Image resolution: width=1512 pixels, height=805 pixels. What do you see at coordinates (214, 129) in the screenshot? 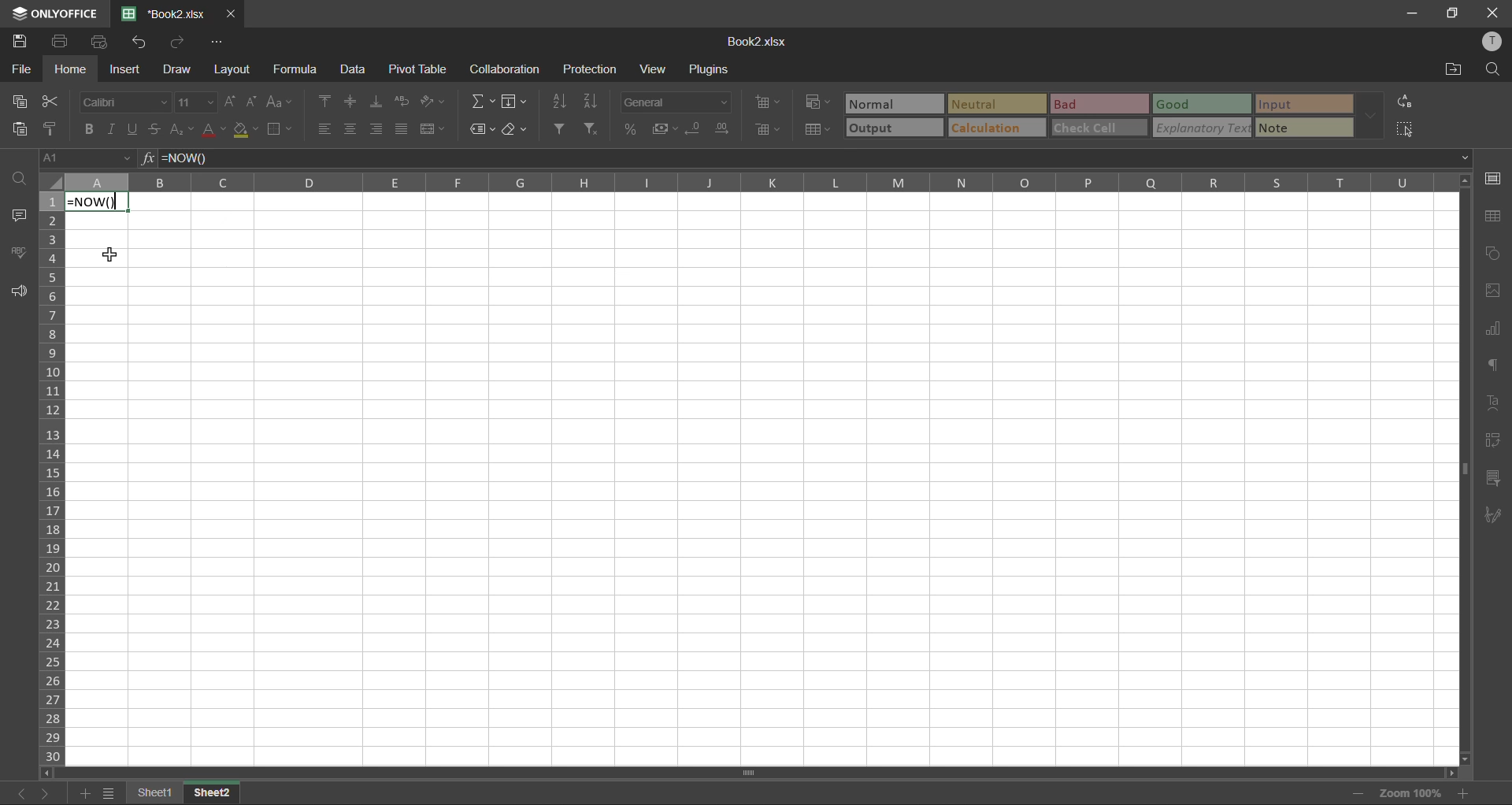
I see `font color` at bounding box center [214, 129].